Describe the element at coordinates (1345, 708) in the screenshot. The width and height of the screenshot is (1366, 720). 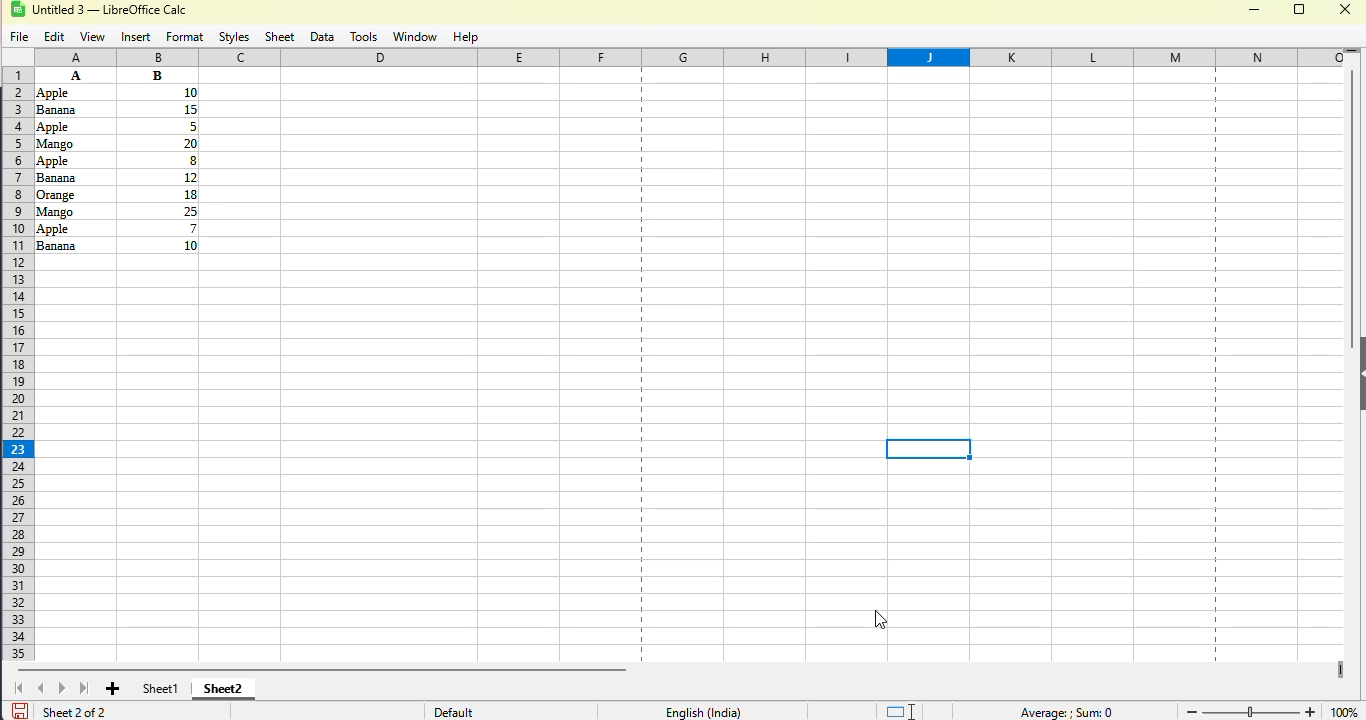
I see `100% (zoom level)` at that location.